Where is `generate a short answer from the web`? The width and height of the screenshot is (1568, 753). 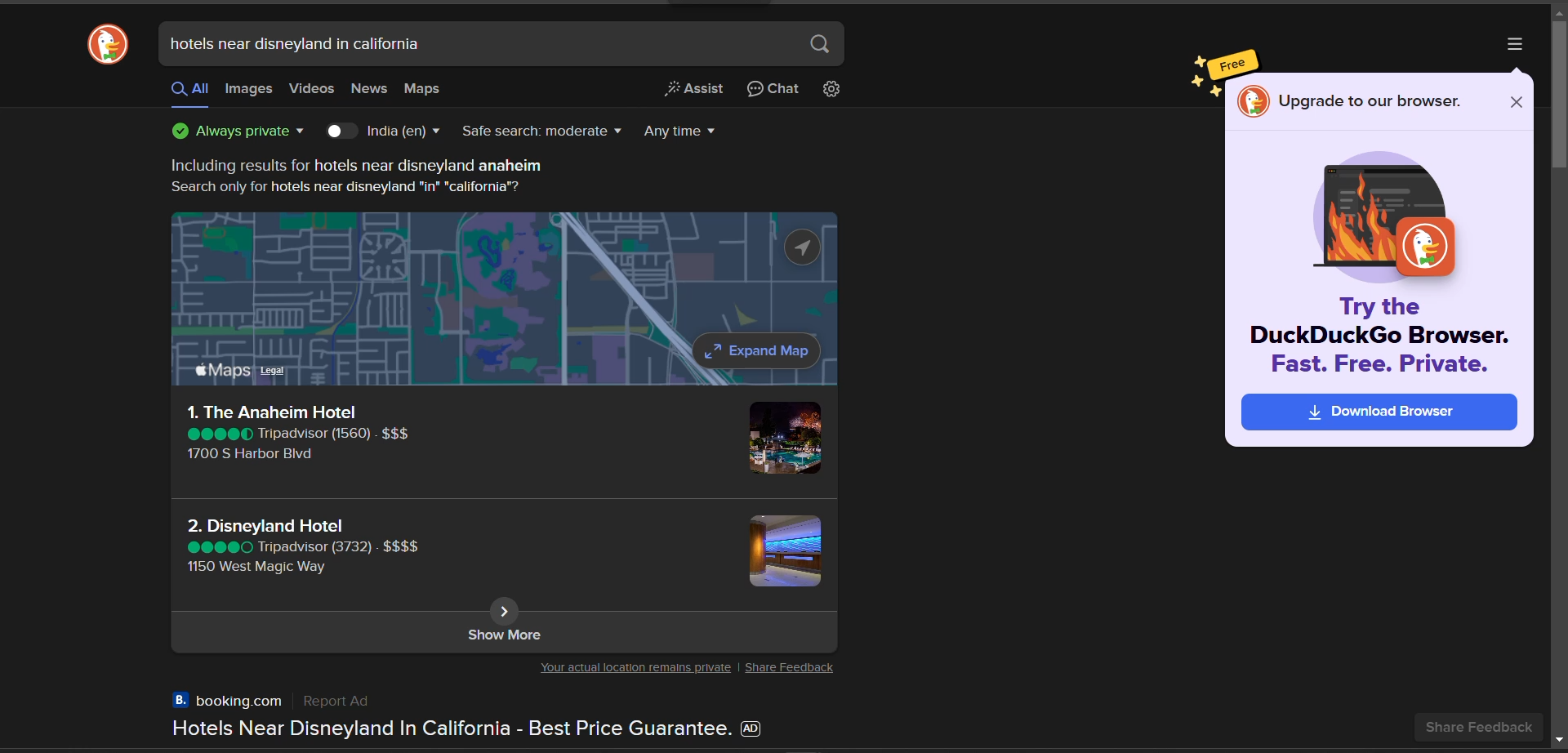 generate a short answer from the web is located at coordinates (690, 91).